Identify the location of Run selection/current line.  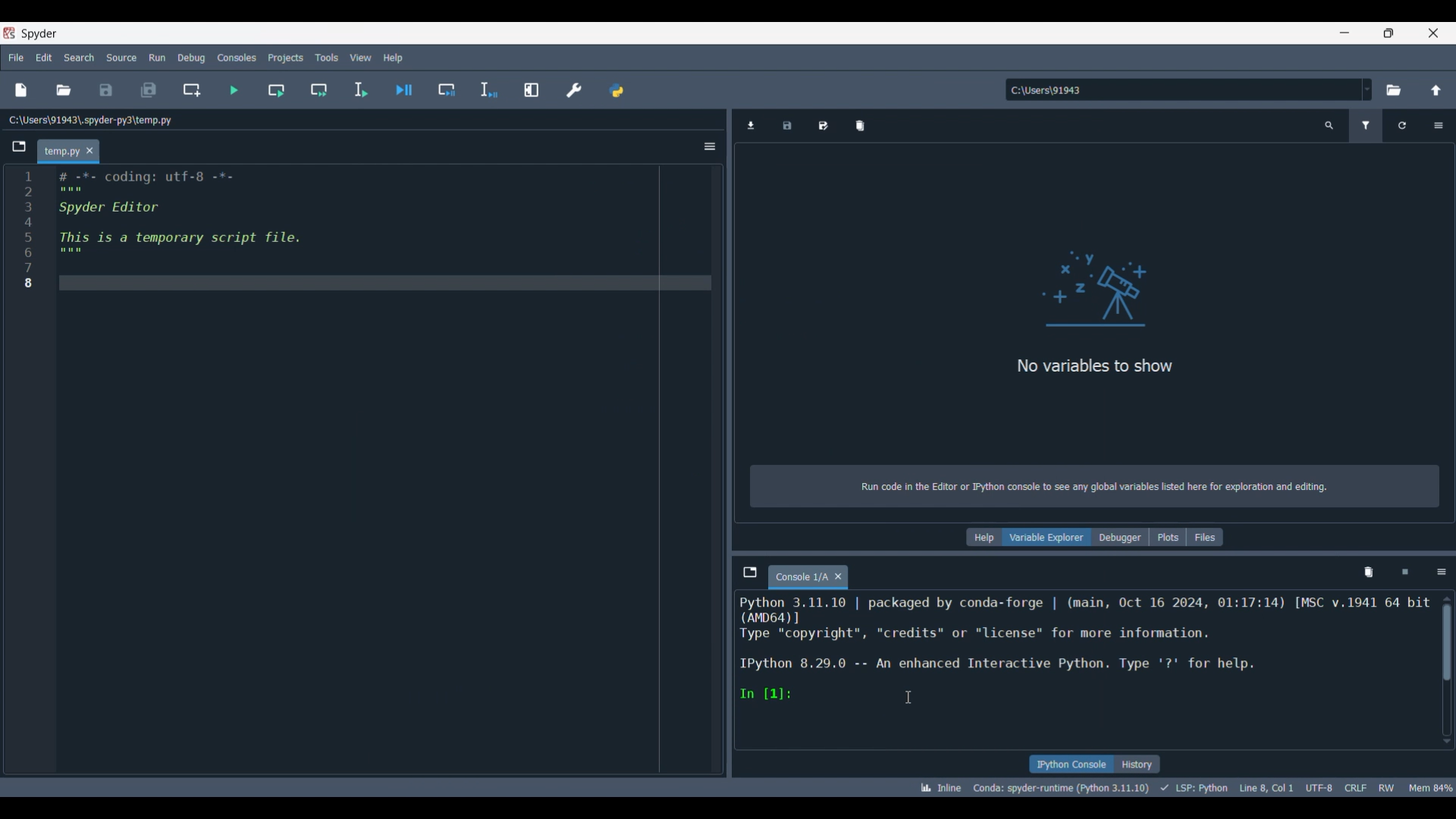
(360, 90).